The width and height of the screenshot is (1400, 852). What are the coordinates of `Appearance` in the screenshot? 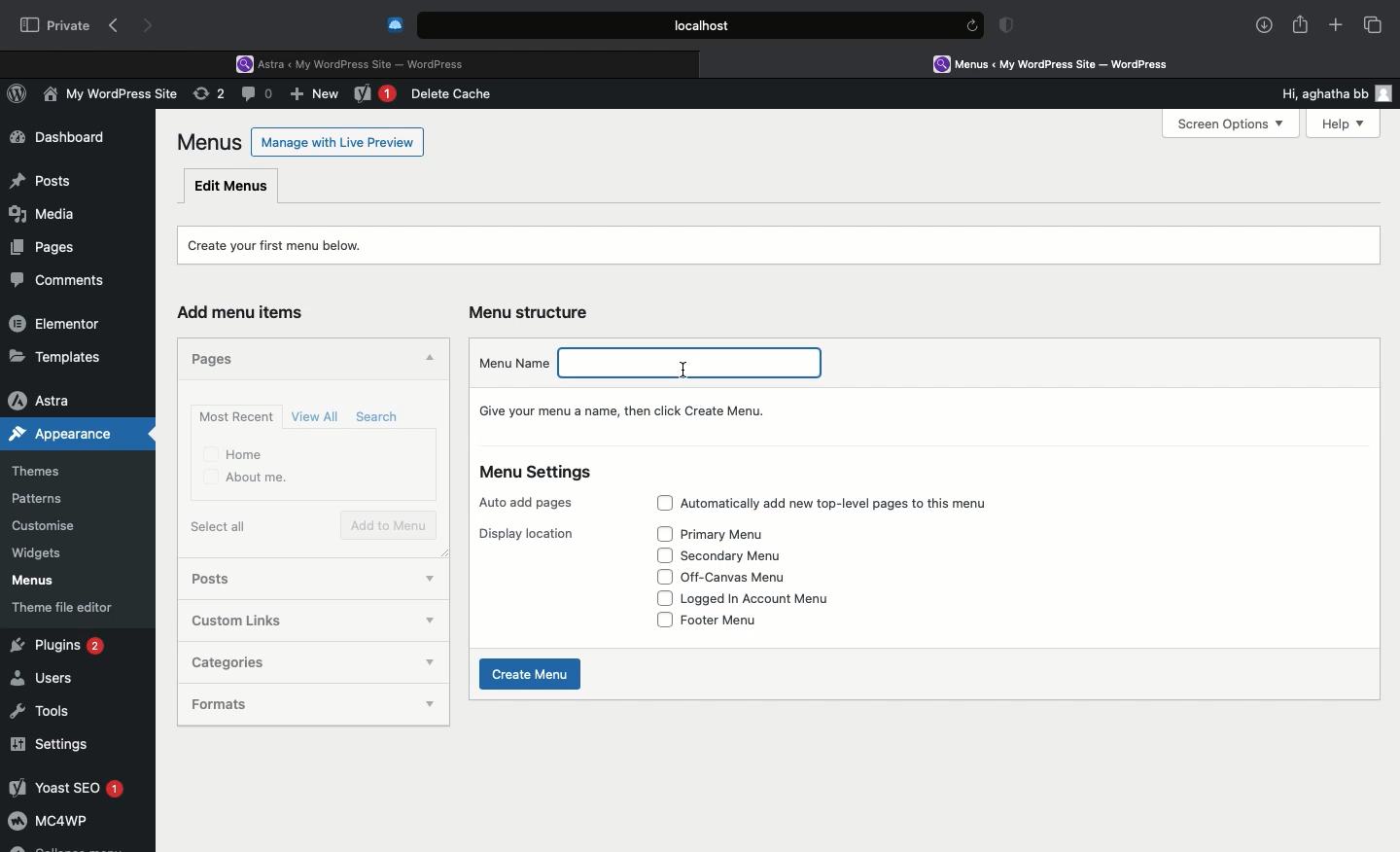 It's located at (79, 434).